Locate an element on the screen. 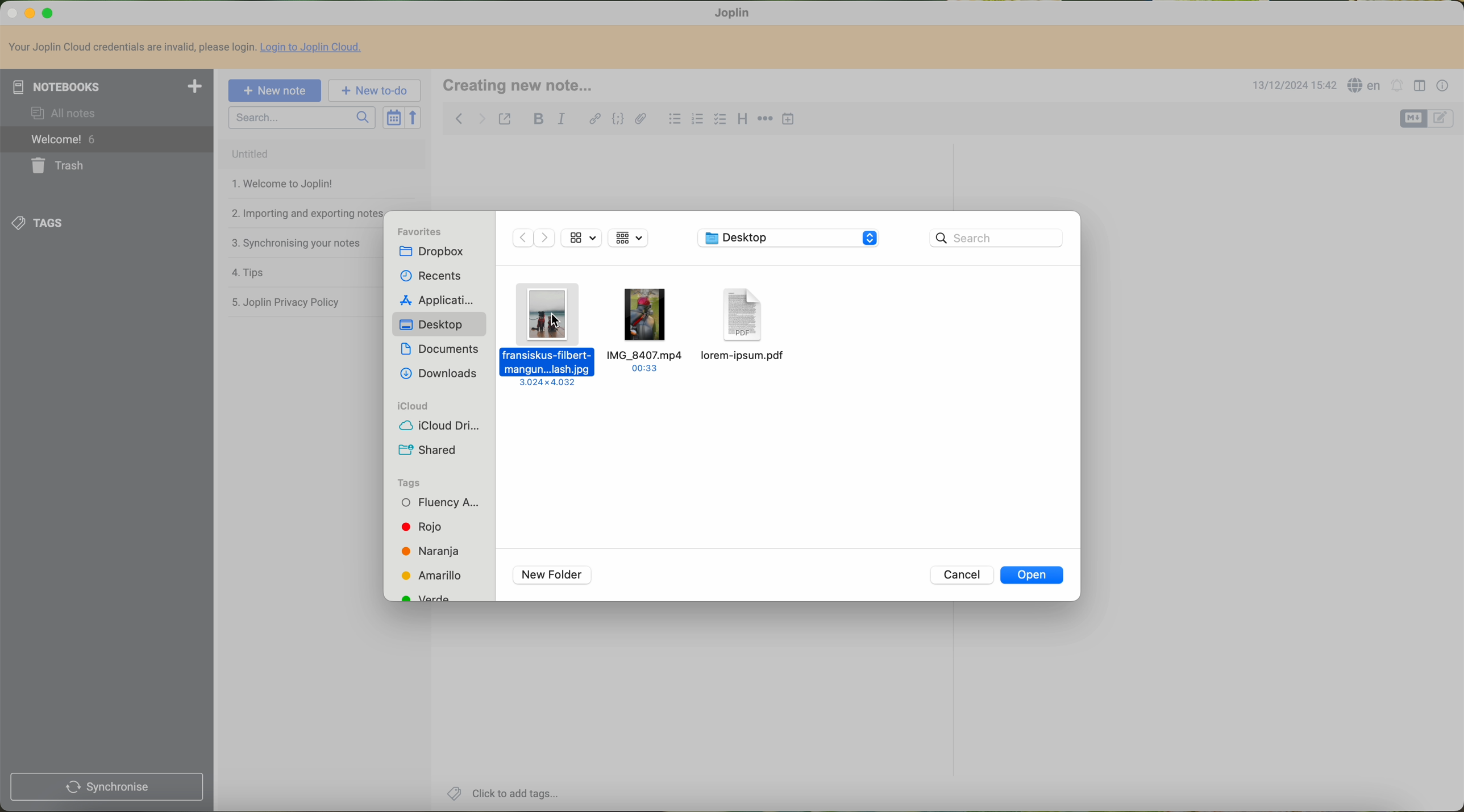 This screenshot has width=1464, height=812. click on attach file is located at coordinates (642, 116).